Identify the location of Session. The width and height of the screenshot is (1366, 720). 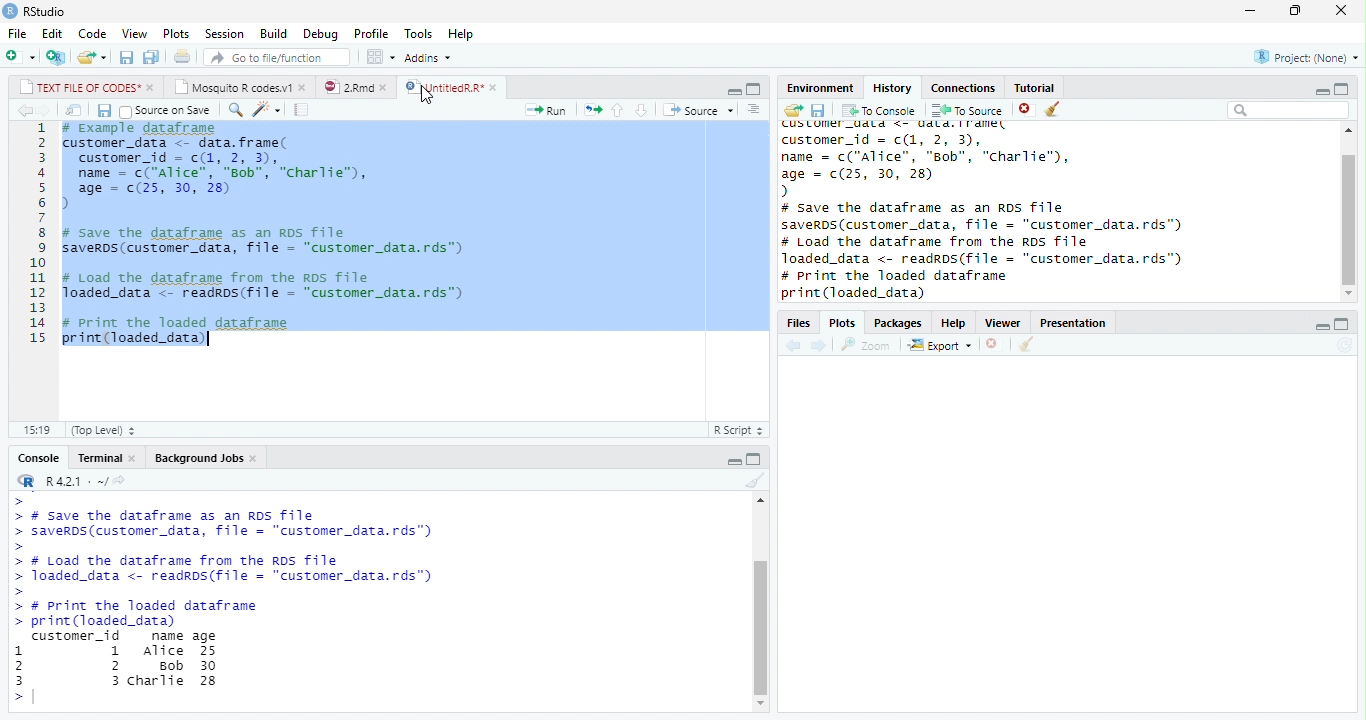
(222, 35).